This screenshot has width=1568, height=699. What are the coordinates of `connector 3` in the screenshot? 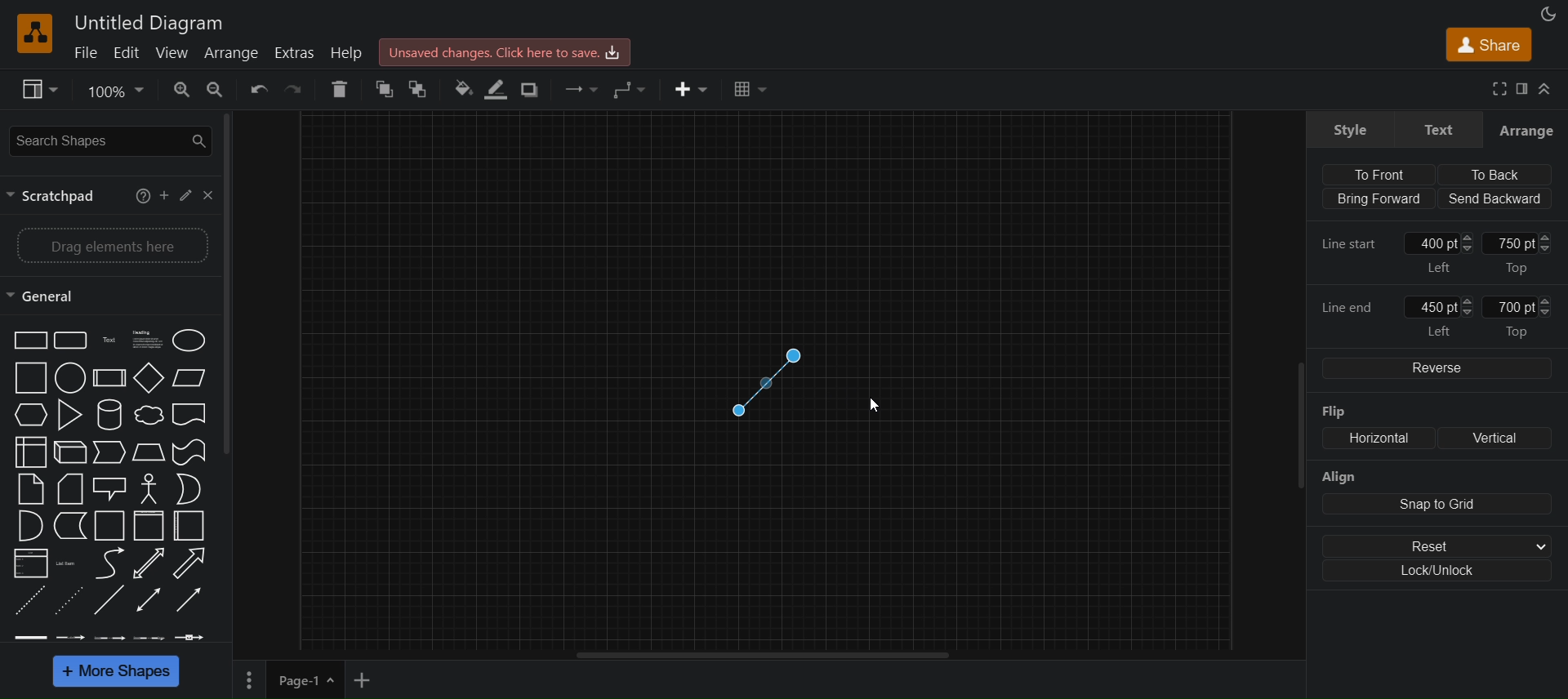 It's located at (110, 637).